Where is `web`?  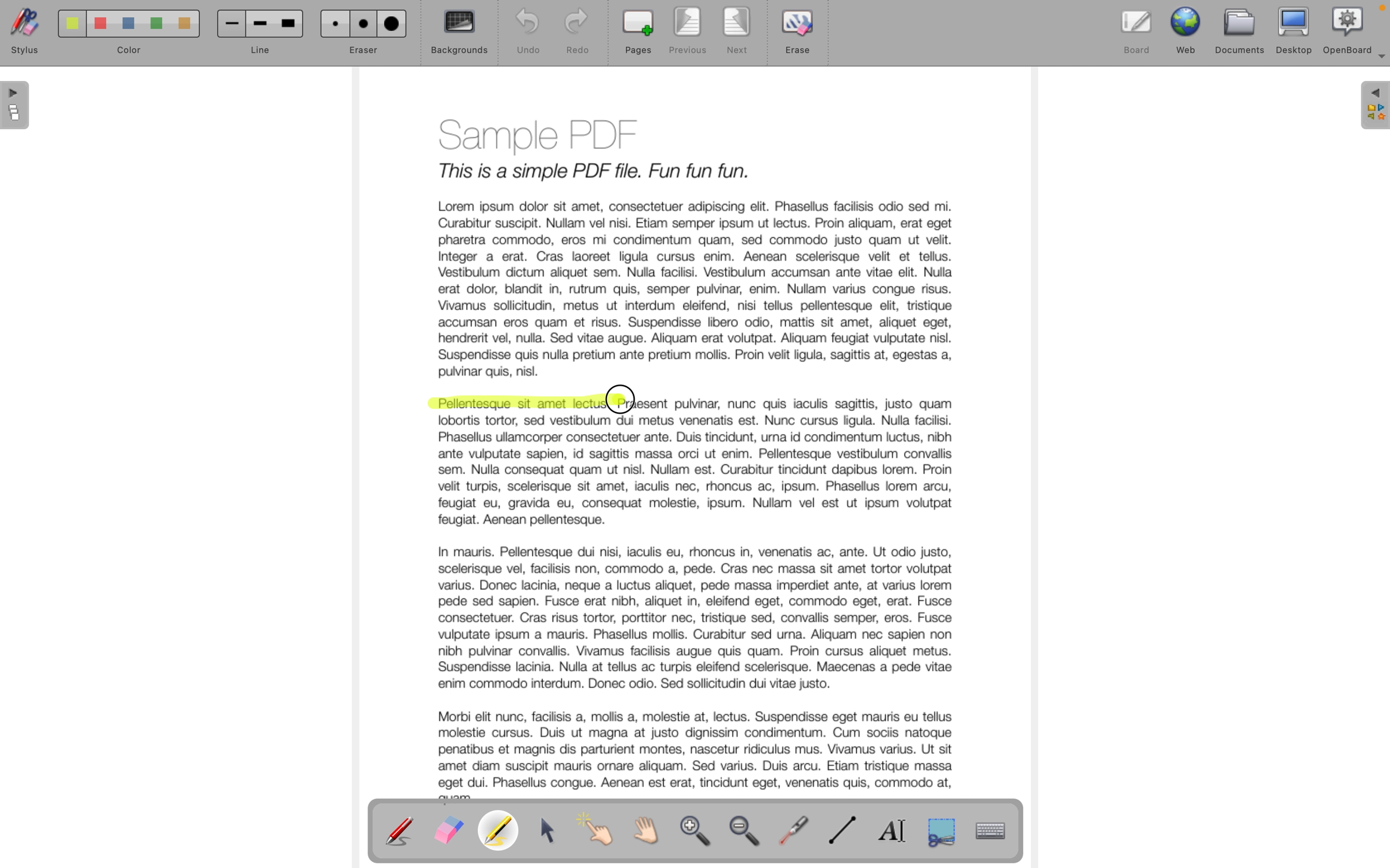 web is located at coordinates (1188, 29).